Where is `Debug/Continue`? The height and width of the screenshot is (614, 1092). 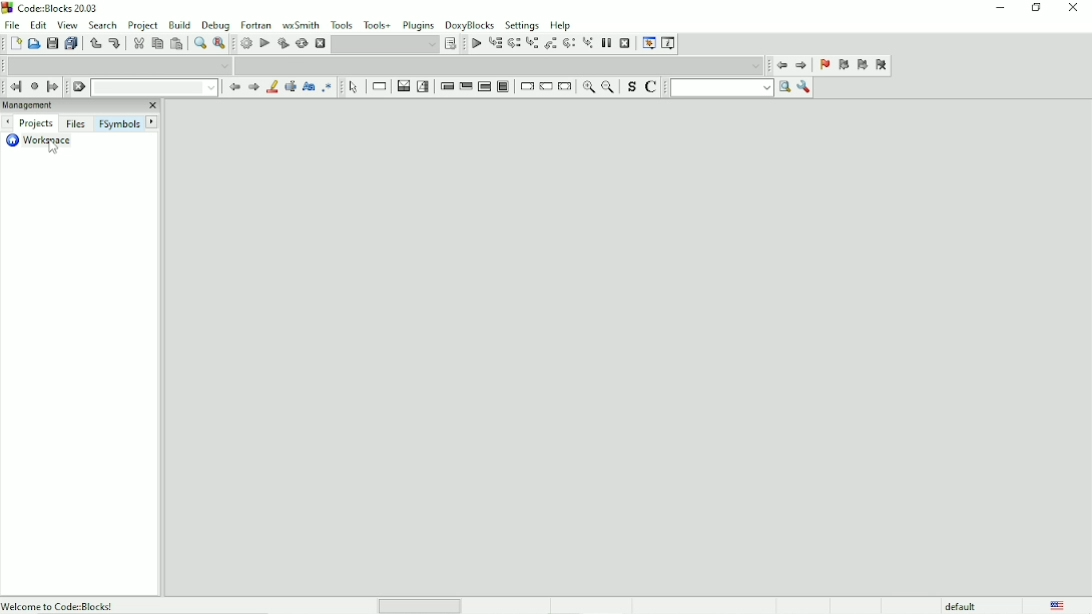
Debug/Continue is located at coordinates (474, 44).